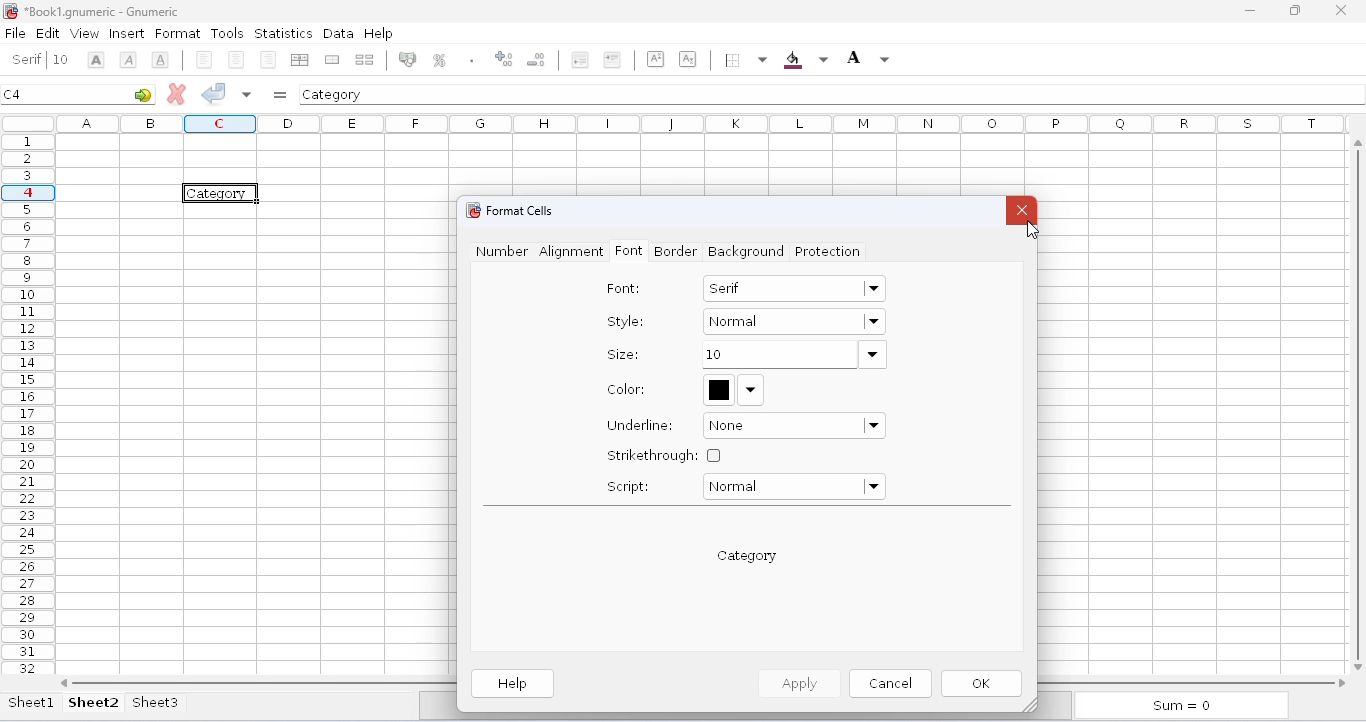 The width and height of the screenshot is (1366, 722). Describe the element at coordinates (781, 60) in the screenshot. I see `borders` at that location.